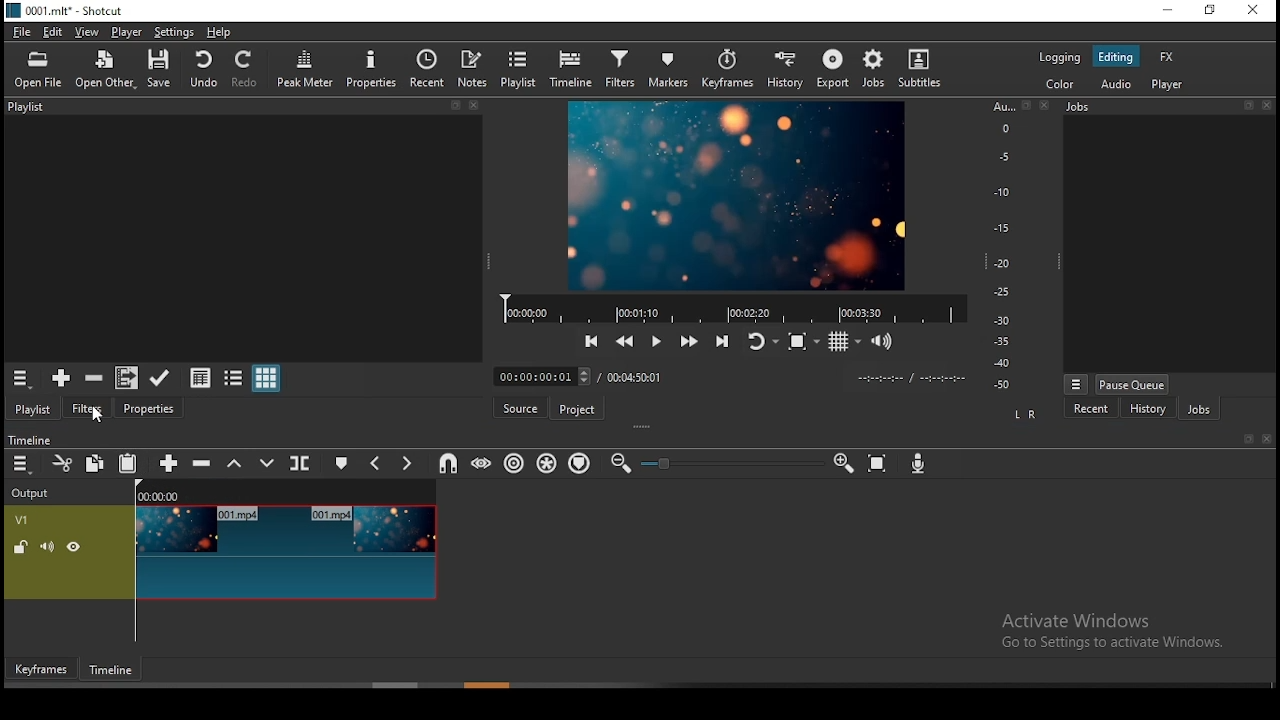  What do you see at coordinates (737, 192) in the screenshot?
I see `preview` at bounding box center [737, 192].